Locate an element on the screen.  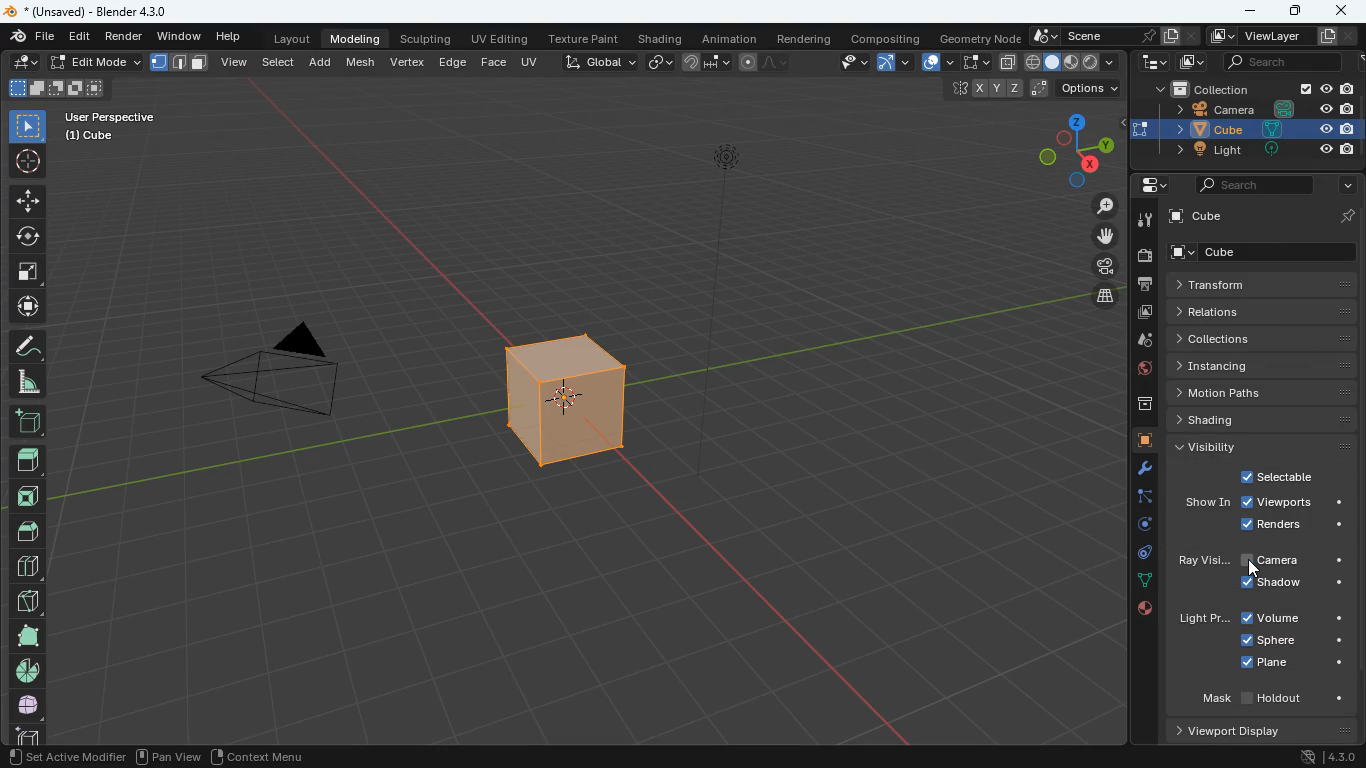
move is located at coordinates (27, 308).